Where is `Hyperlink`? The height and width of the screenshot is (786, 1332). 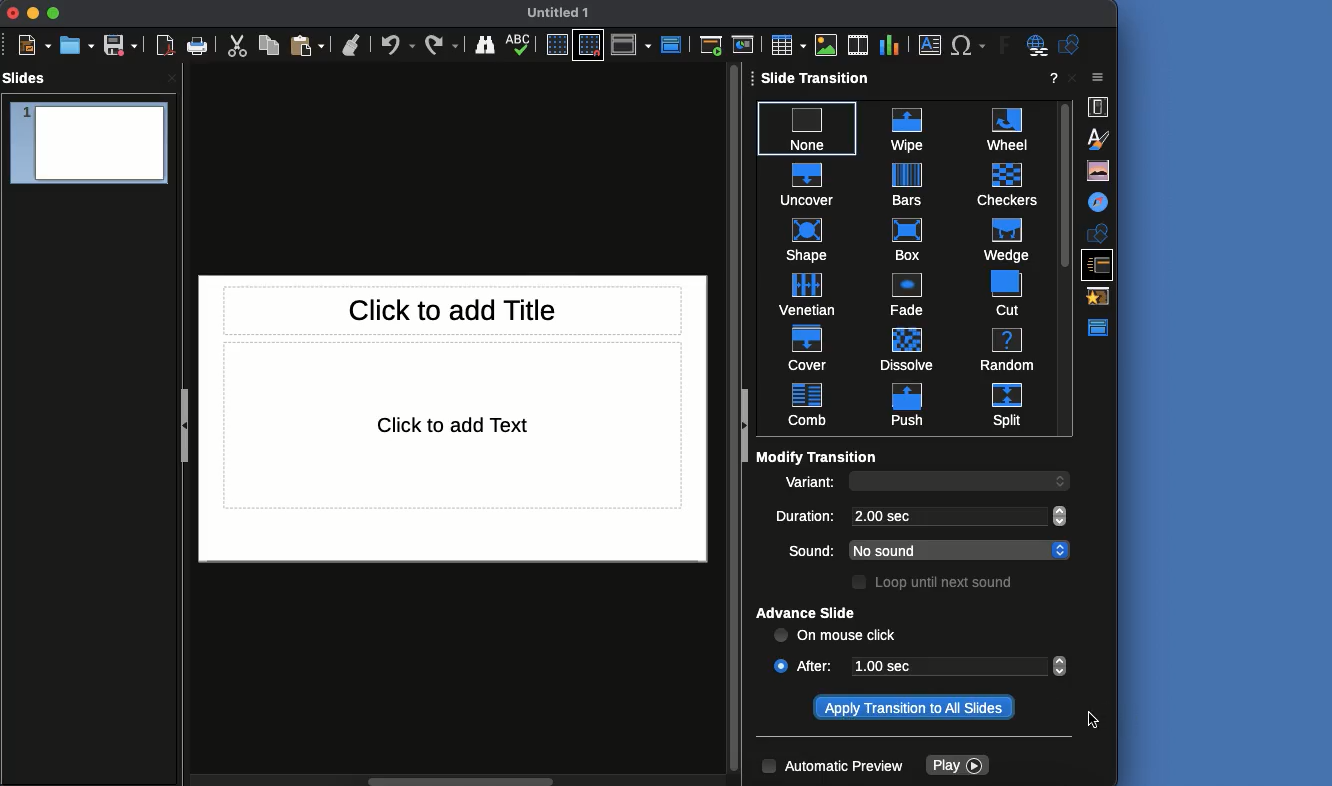
Hyperlink is located at coordinates (1034, 46).